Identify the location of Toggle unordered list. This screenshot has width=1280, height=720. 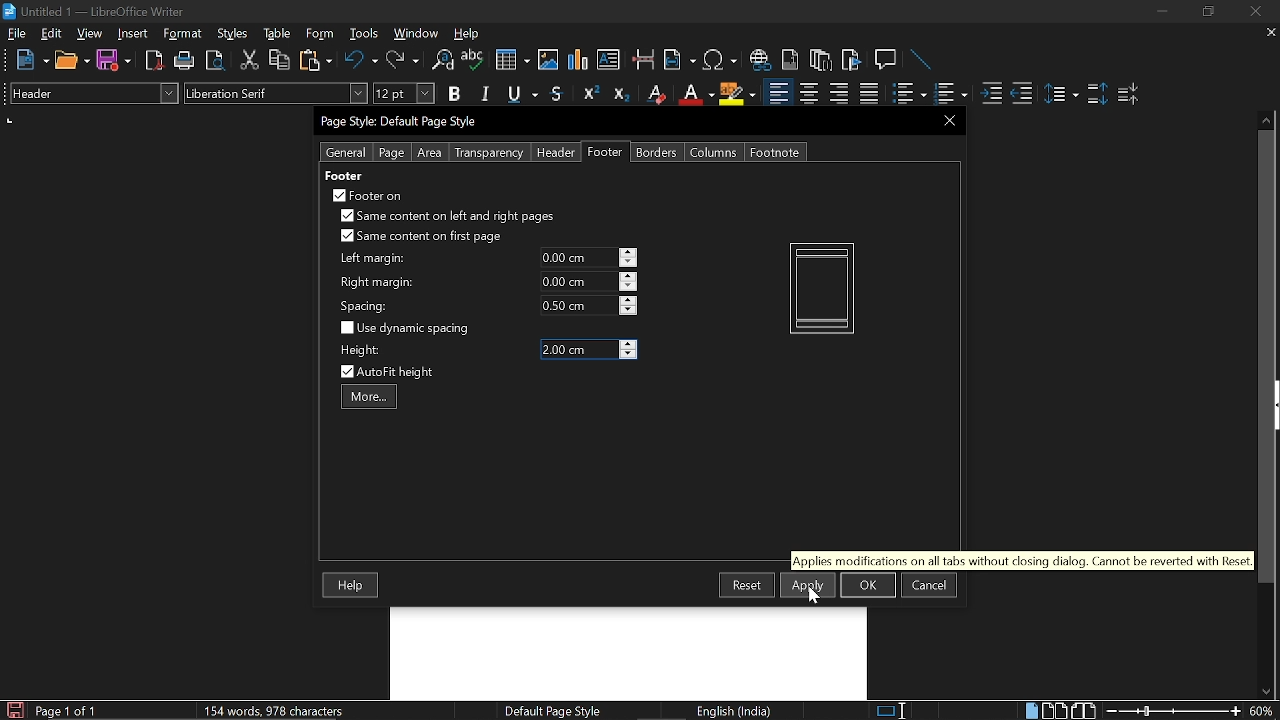
(949, 94).